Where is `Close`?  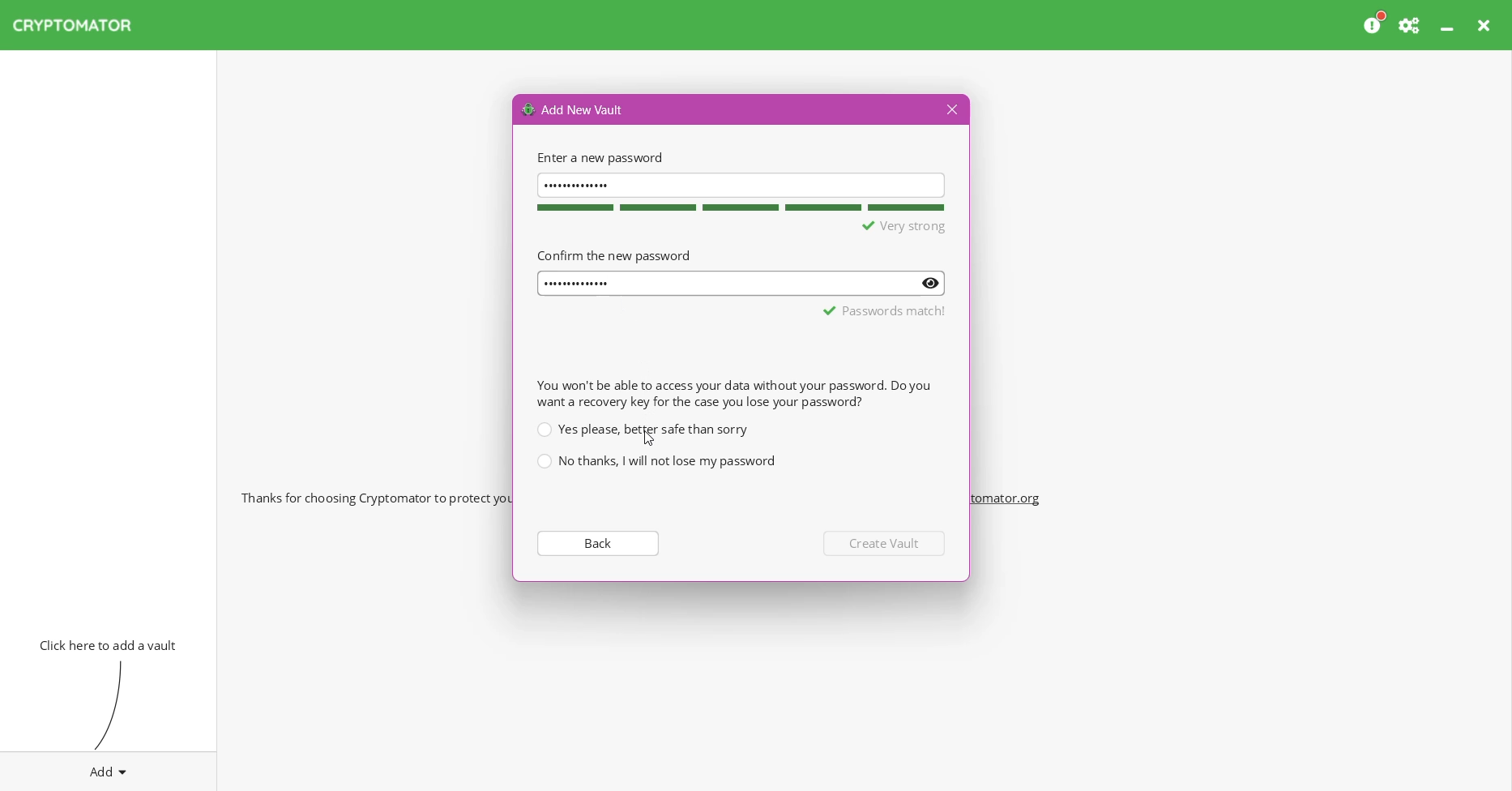 Close is located at coordinates (950, 110).